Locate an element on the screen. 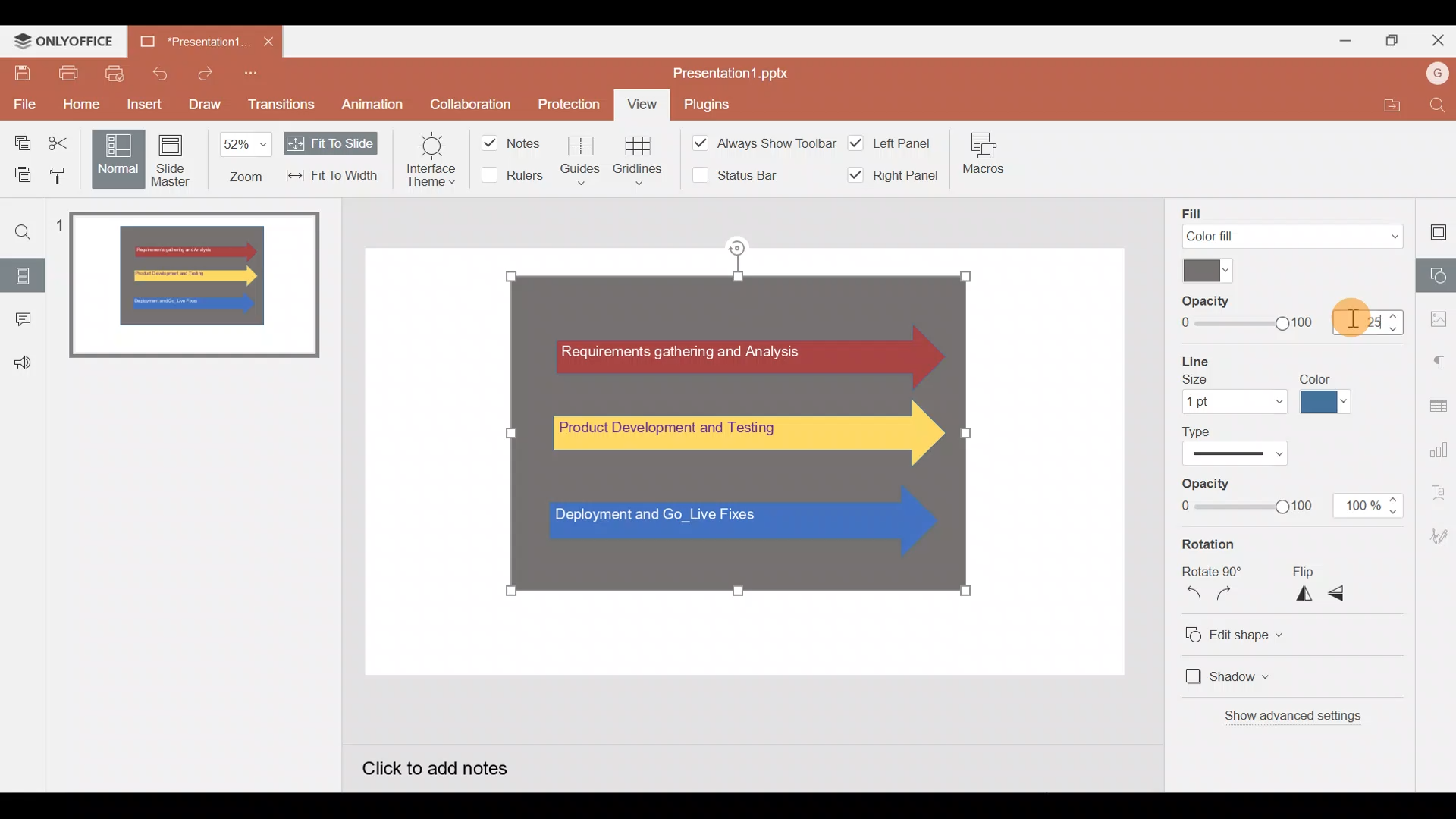  Paragraph settings is located at coordinates (1438, 358).